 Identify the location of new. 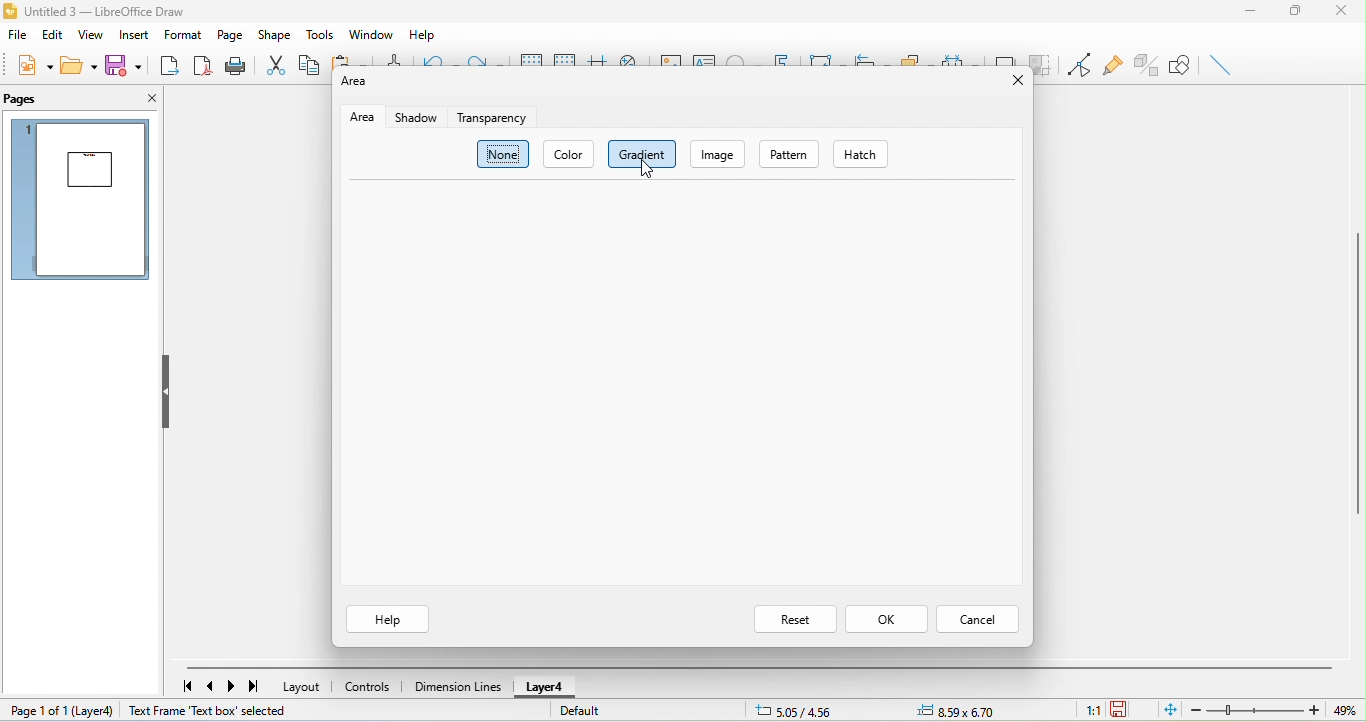
(32, 65).